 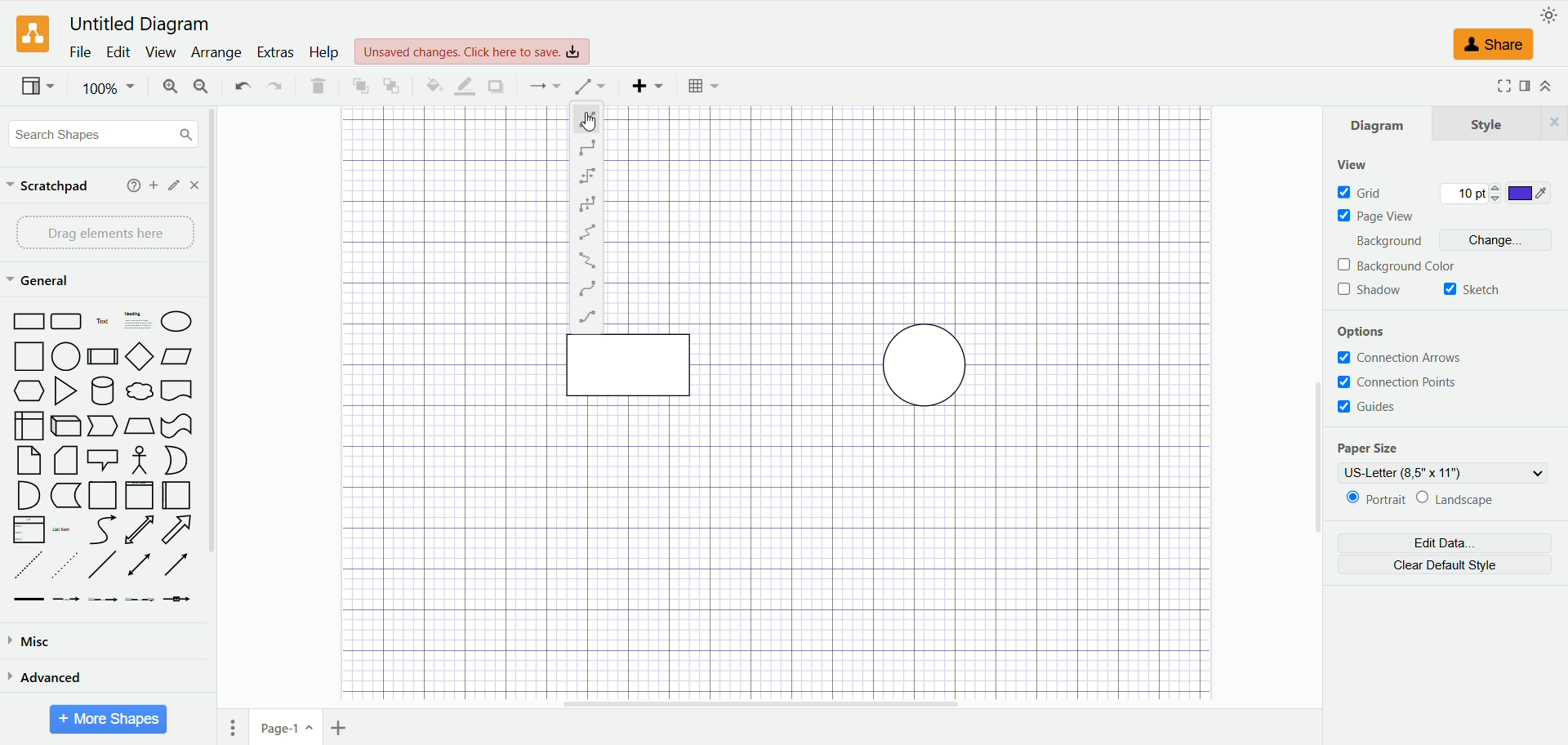 What do you see at coordinates (176, 356) in the screenshot?
I see `Parallelogram` at bounding box center [176, 356].